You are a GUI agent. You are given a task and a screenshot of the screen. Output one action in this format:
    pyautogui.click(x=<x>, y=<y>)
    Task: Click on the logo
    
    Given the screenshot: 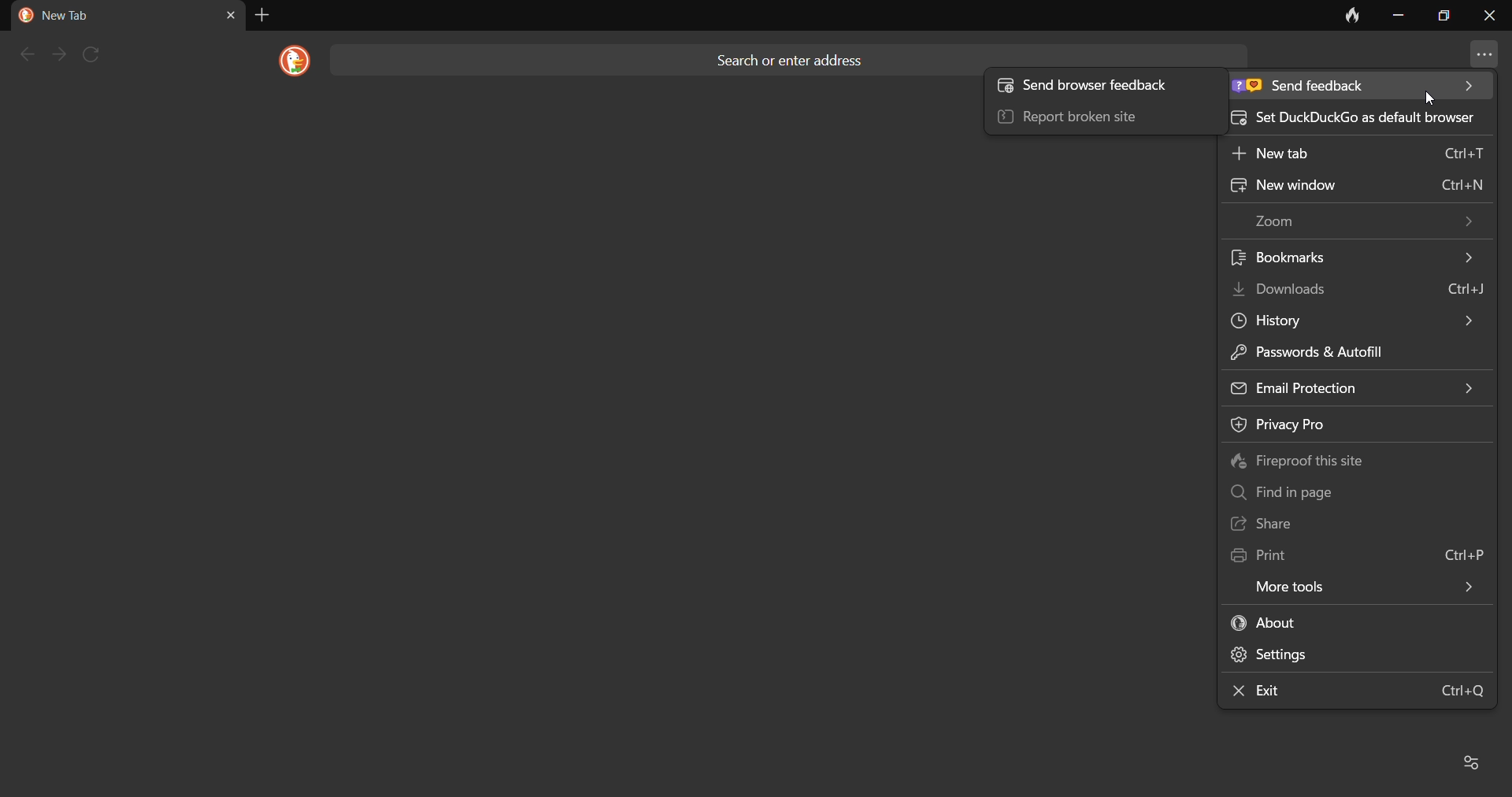 What is the action you would take?
    pyautogui.click(x=289, y=61)
    